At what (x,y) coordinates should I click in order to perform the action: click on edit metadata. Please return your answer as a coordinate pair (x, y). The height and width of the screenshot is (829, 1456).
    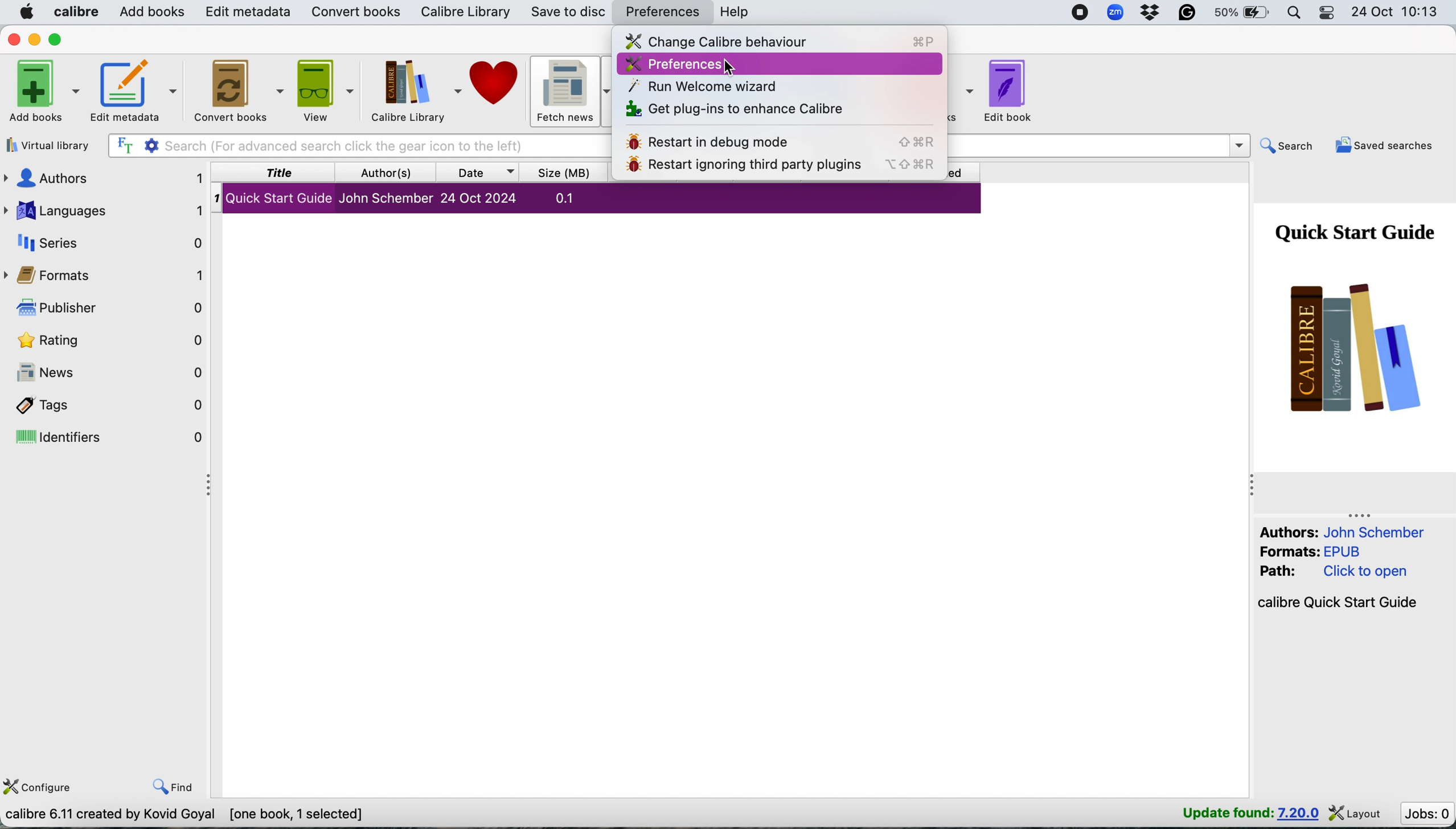
    Looking at the image, I should click on (133, 92).